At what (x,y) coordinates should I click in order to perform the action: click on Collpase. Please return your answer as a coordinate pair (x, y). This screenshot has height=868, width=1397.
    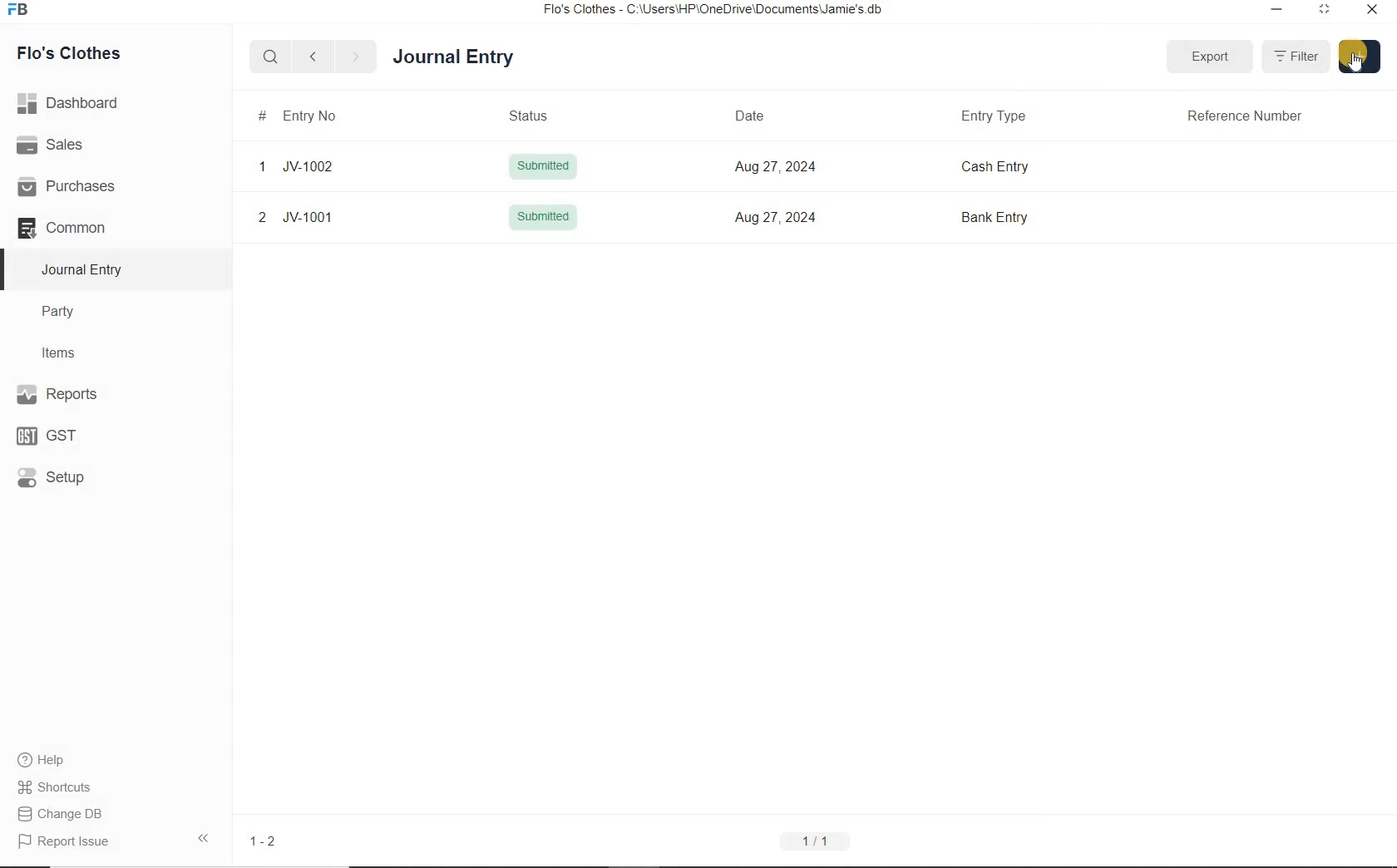
    Looking at the image, I should click on (203, 837).